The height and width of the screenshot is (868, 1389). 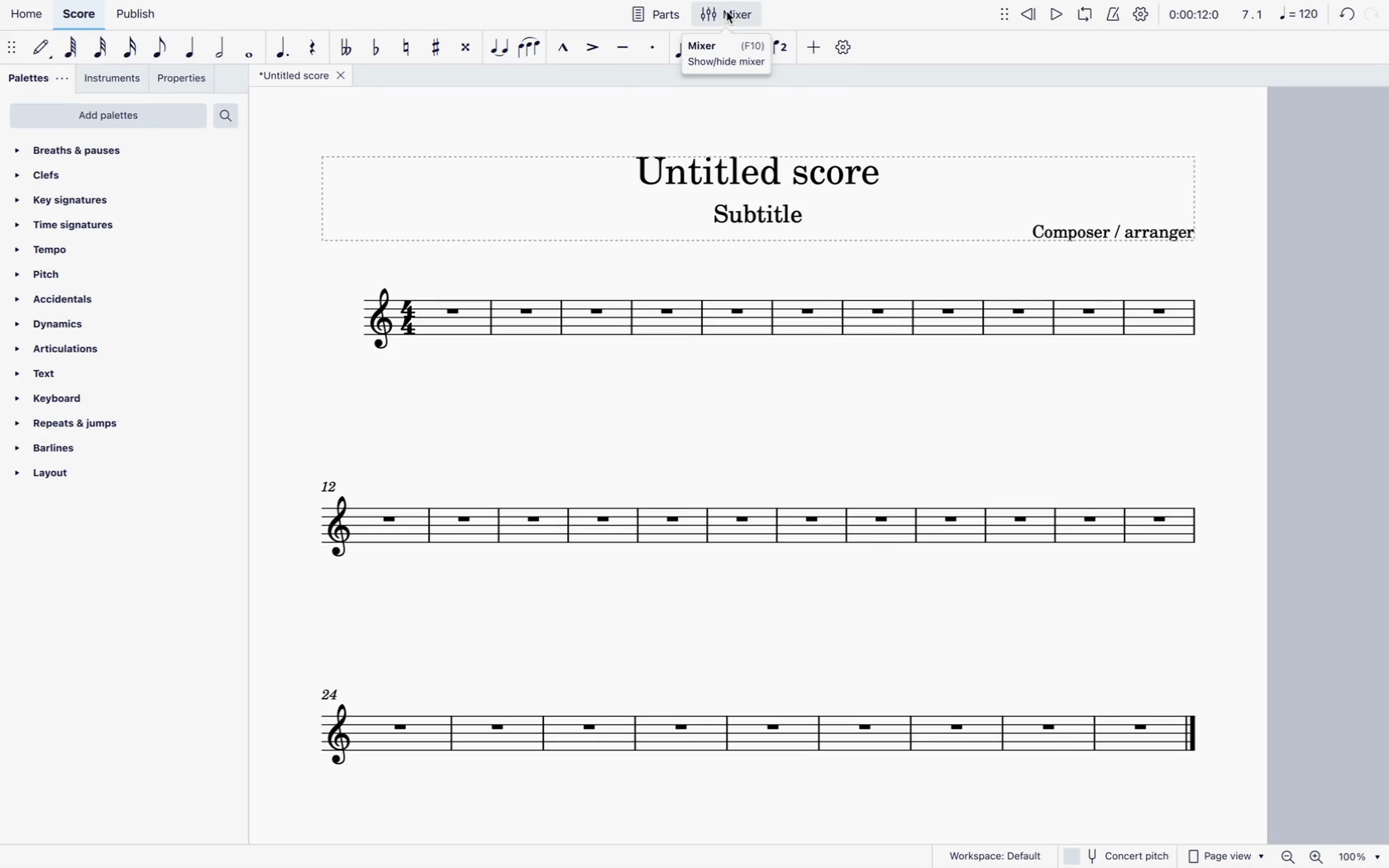 What do you see at coordinates (1140, 13) in the screenshot?
I see `settings` at bounding box center [1140, 13].